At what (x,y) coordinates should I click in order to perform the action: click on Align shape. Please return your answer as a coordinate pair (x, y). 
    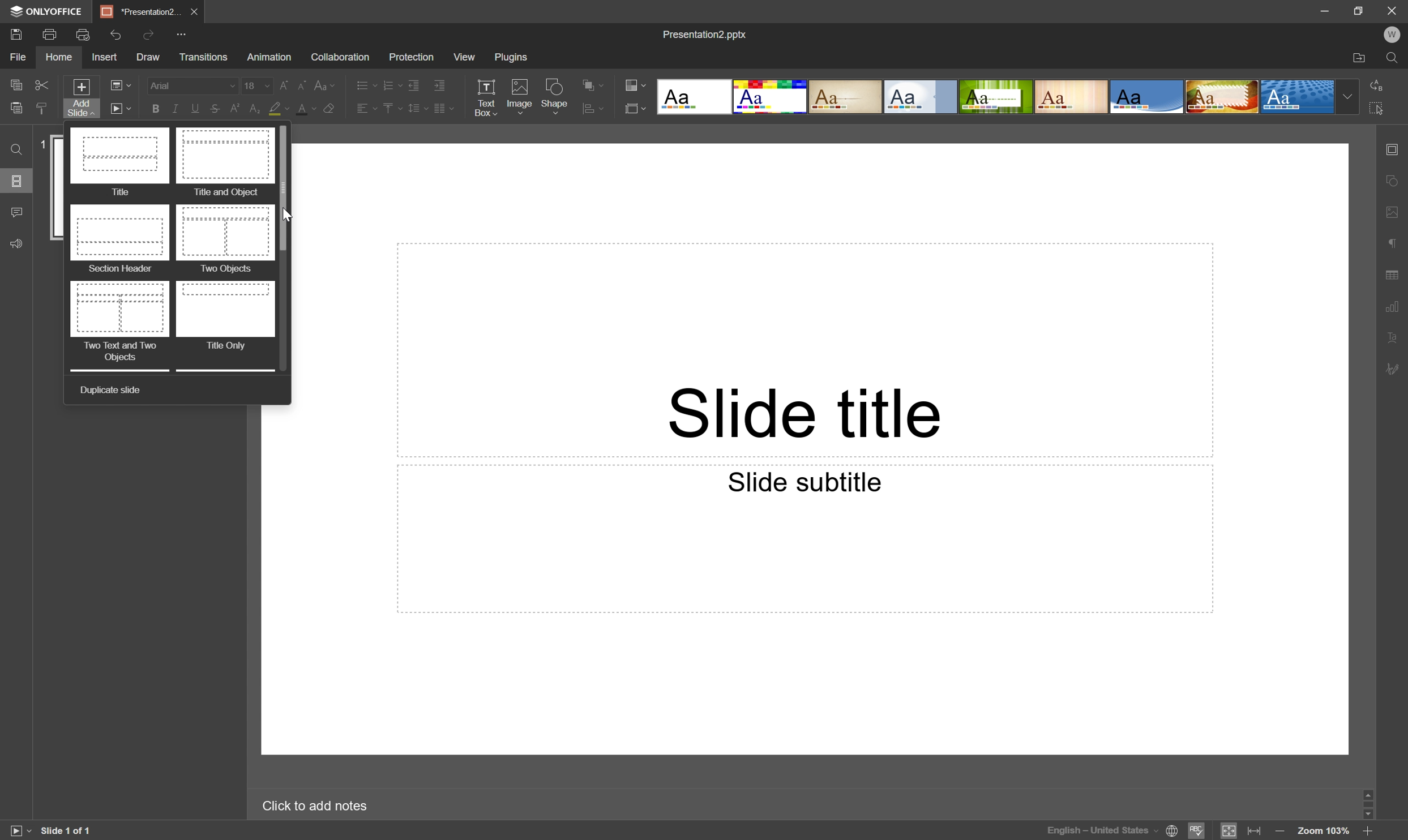
    Looking at the image, I should click on (595, 82).